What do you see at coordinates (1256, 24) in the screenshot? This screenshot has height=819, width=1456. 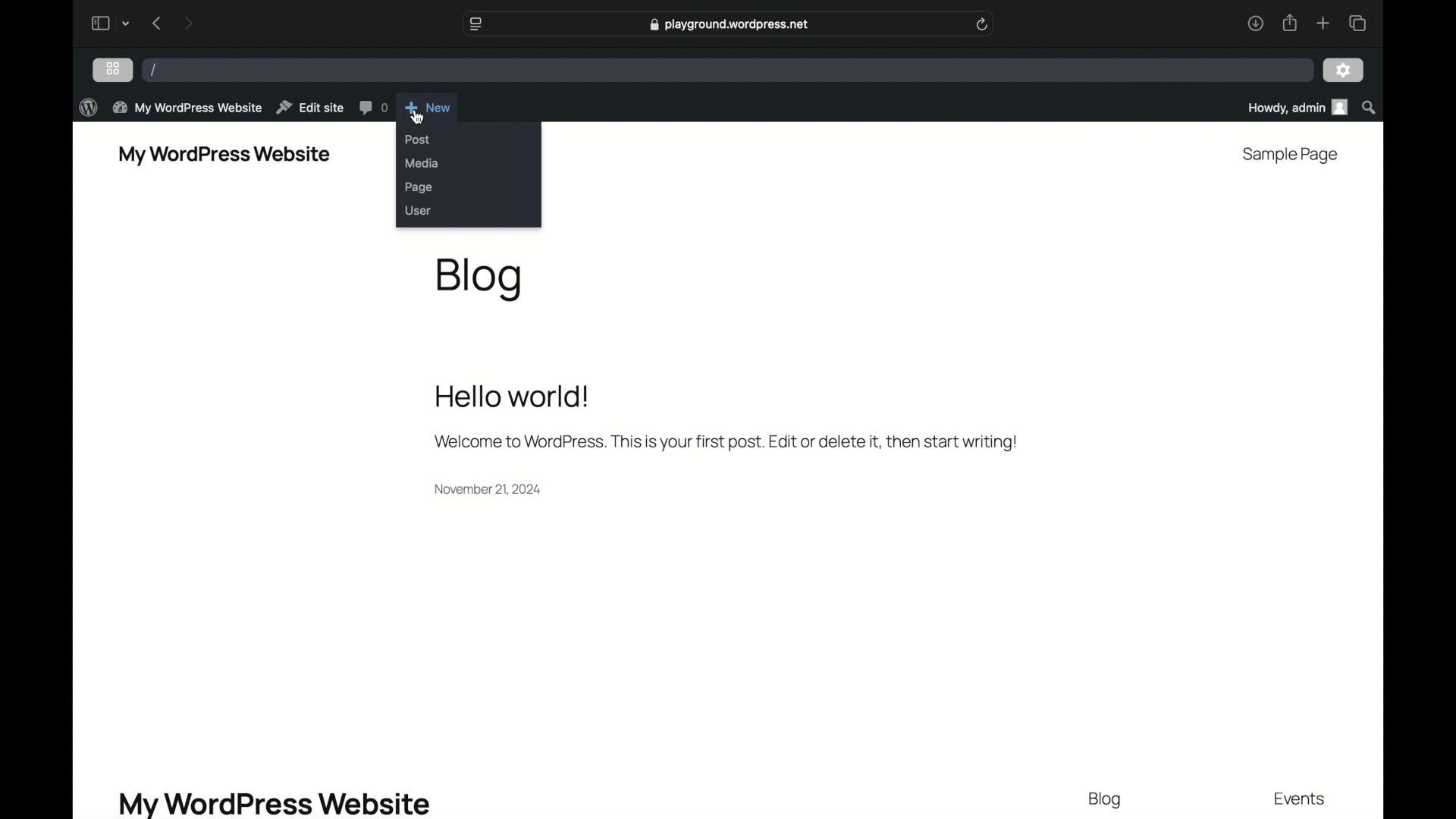 I see `downloads` at bounding box center [1256, 24].